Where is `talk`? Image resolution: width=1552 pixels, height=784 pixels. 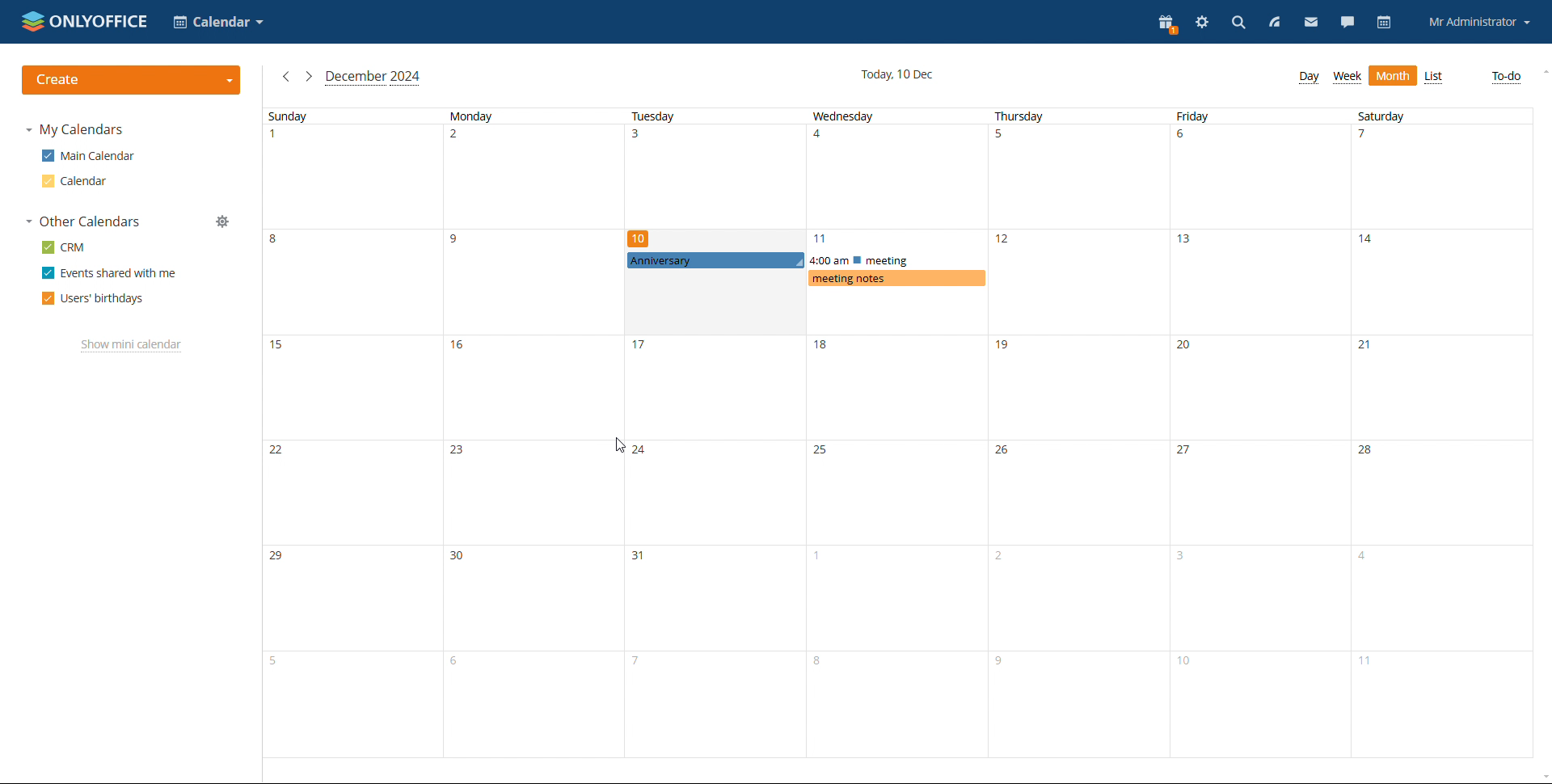 talk is located at coordinates (1347, 22).